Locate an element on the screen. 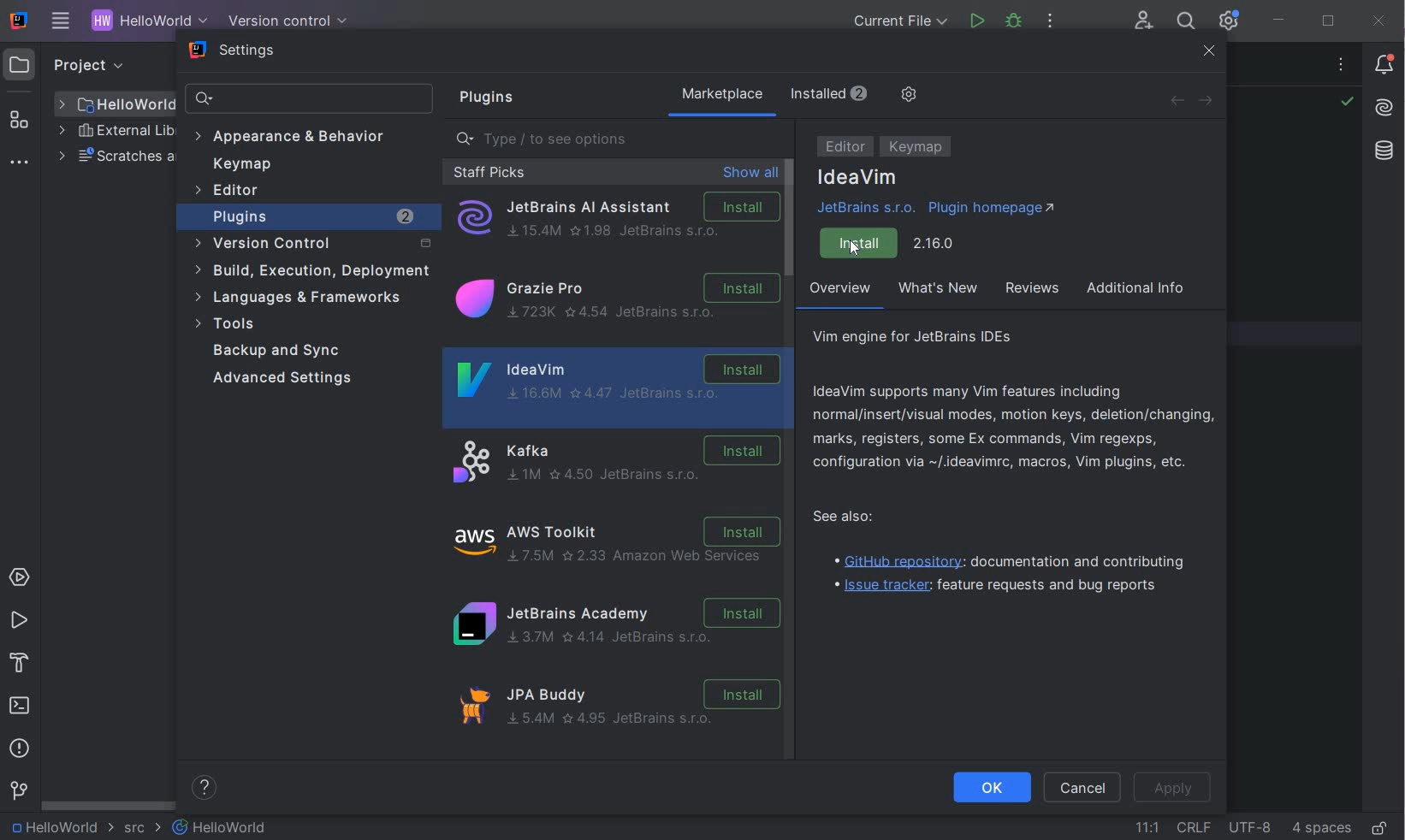 The height and width of the screenshot is (840, 1405). IdeaVim is located at coordinates (614, 387).